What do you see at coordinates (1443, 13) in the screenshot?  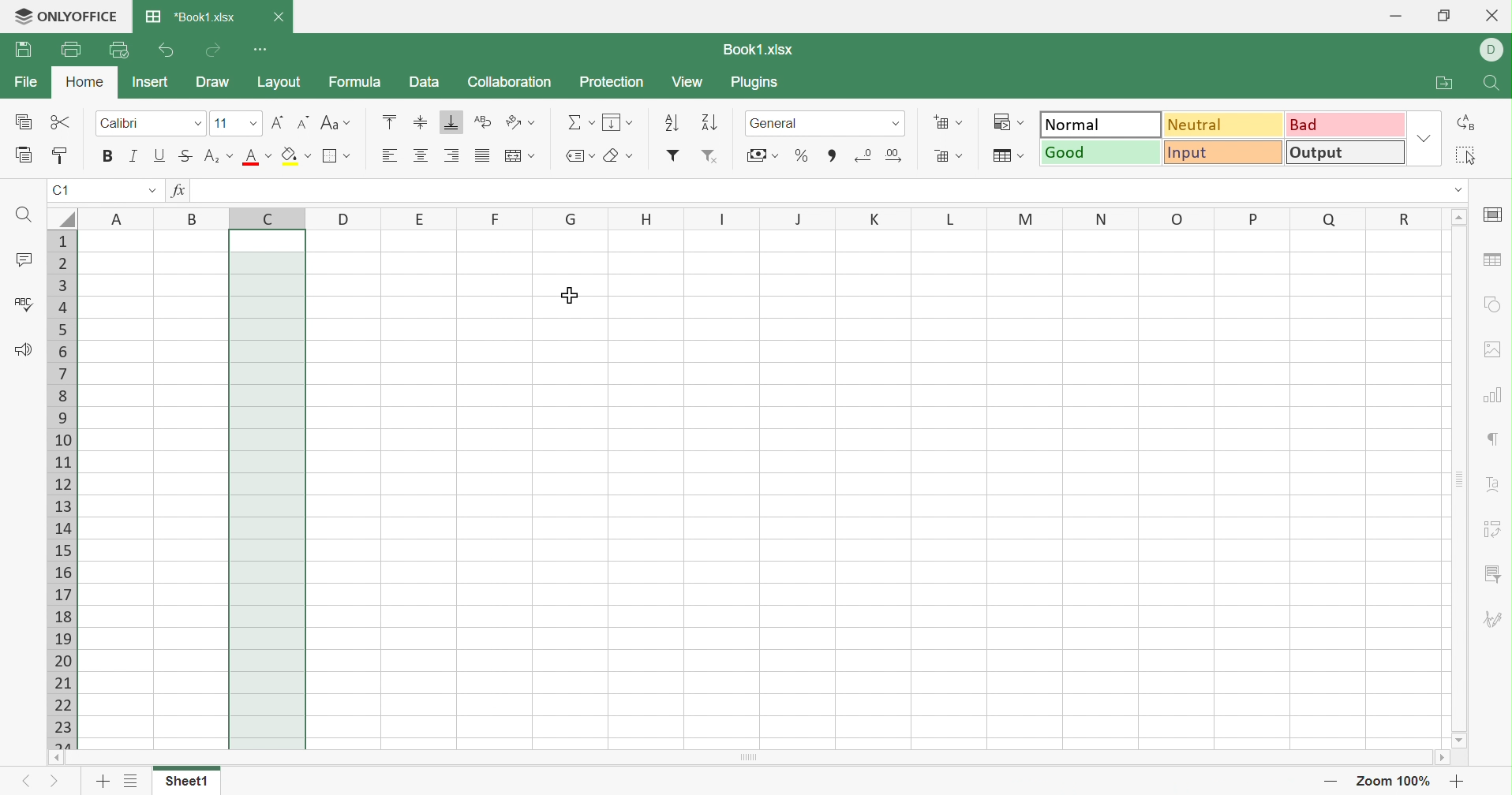 I see `Restore Down` at bounding box center [1443, 13].